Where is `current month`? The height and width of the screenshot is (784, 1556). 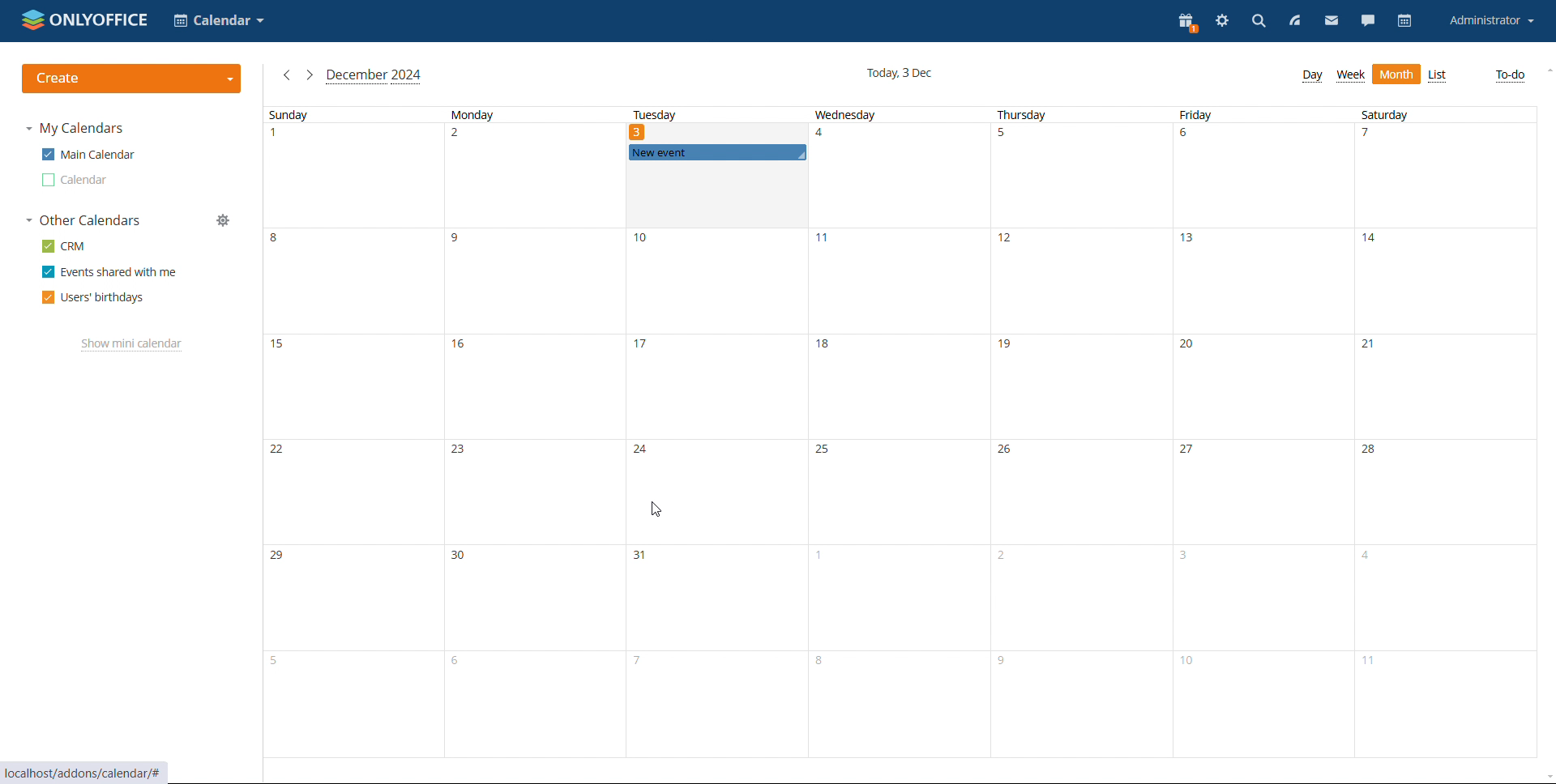 current month is located at coordinates (374, 77).